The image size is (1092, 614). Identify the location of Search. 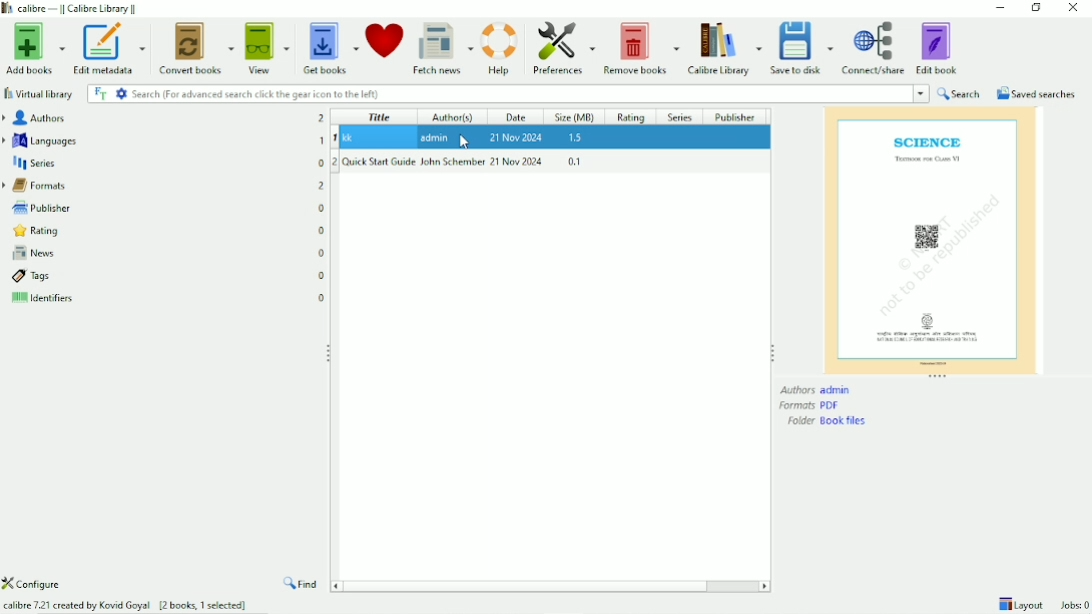
(960, 93).